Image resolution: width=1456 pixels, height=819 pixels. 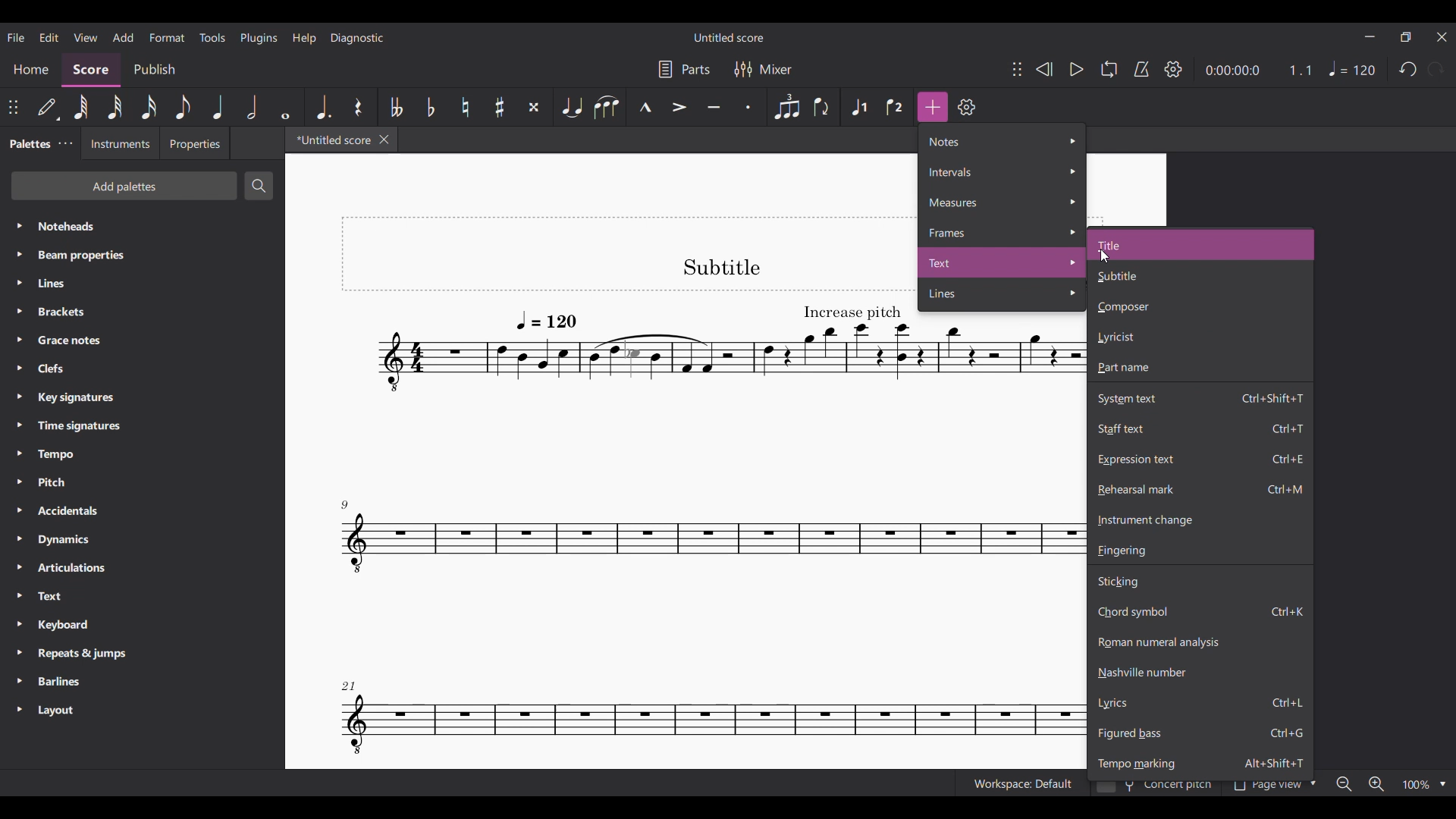 What do you see at coordinates (1003, 141) in the screenshot?
I see `Notes options` at bounding box center [1003, 141].